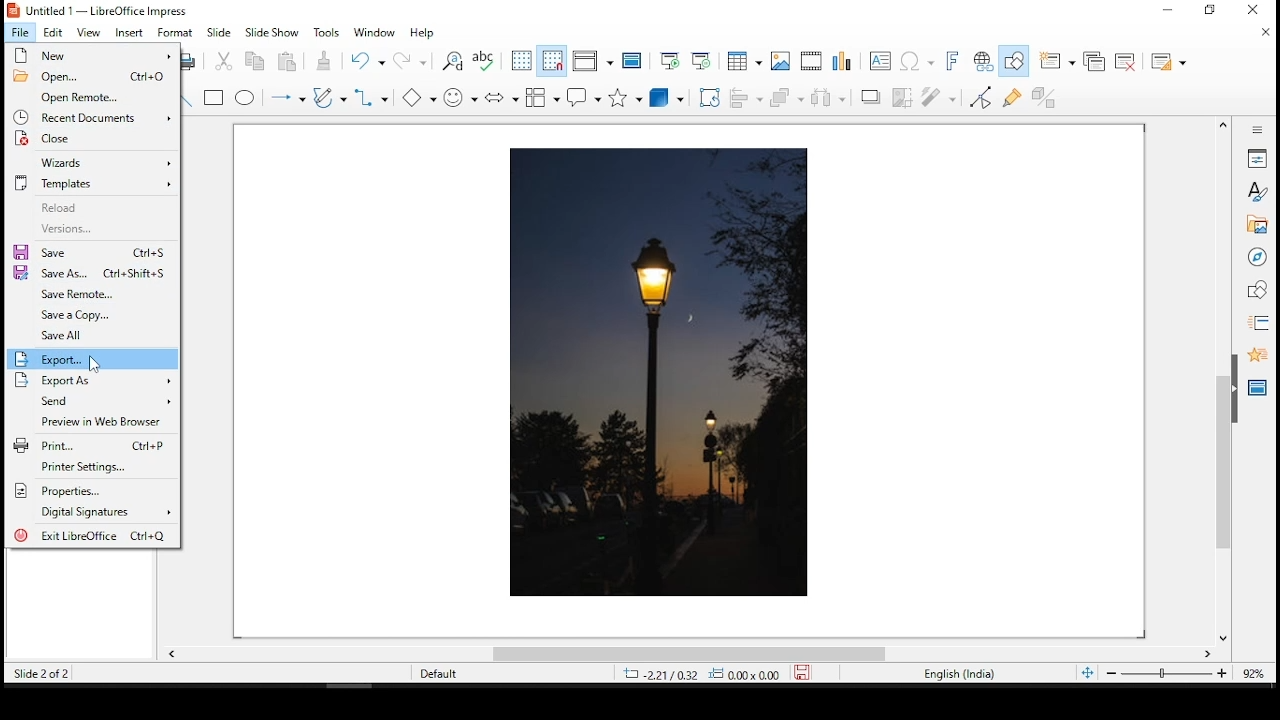 The height and width of the screenshot is (720, 1280). Describe the element at coordinates (1011, 61) in the screenshot. I see `show draw functions` at that location.